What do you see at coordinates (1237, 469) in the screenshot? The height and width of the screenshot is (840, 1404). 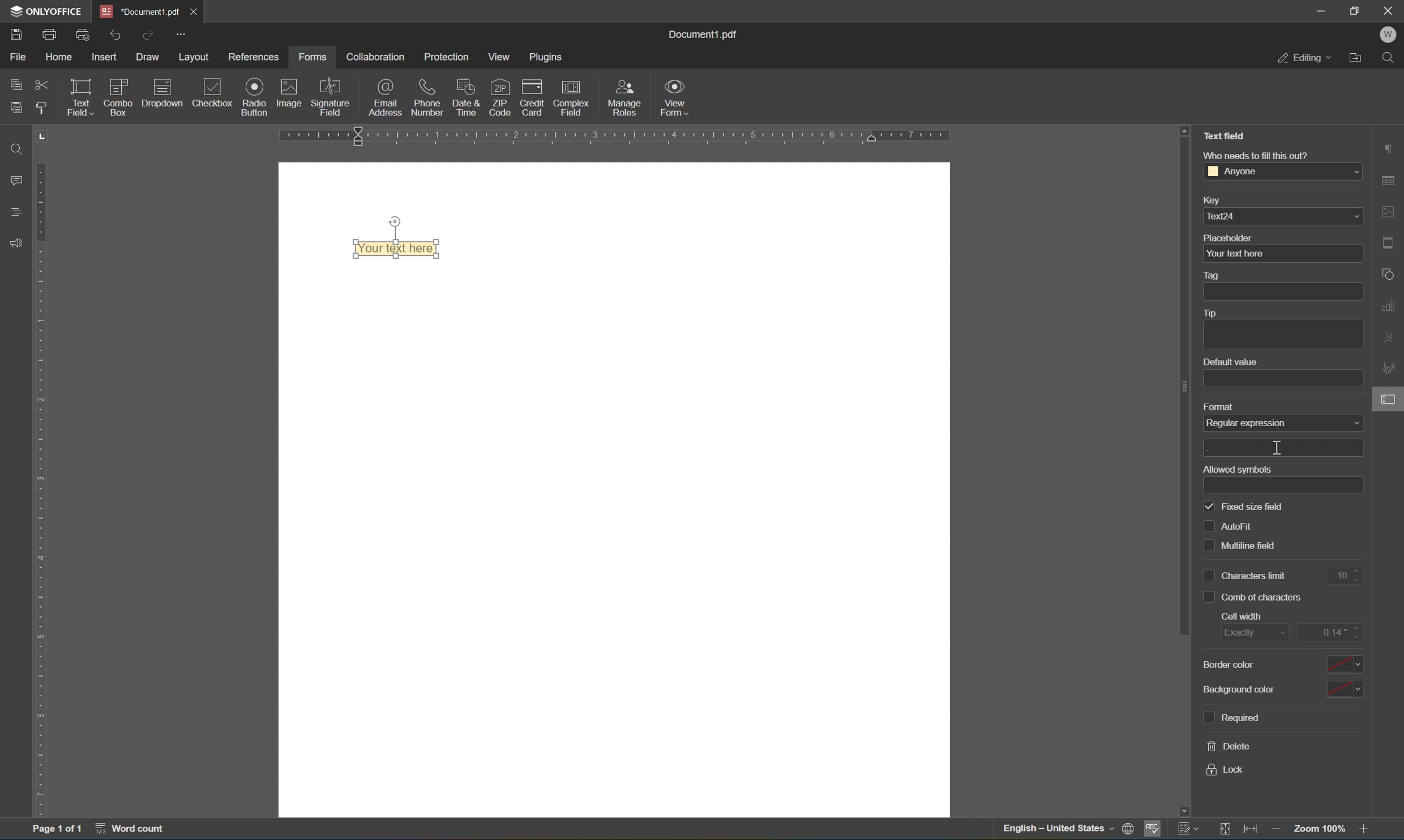 I see `allowed symbols` at bounding box center [1237, 469].